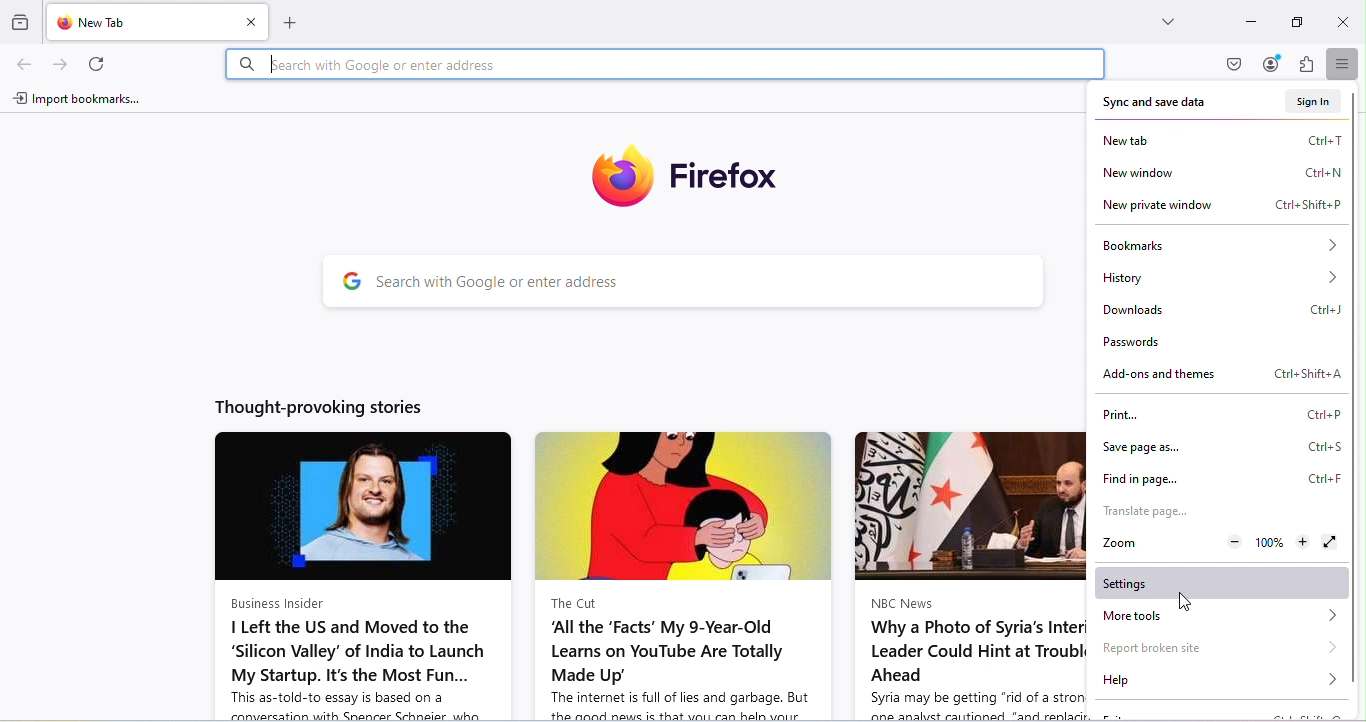 This screenshot has width=1366, height=722. Describe the element at coordinates (680, 575) in the screenshot. I see `new article from the cut` at that location.